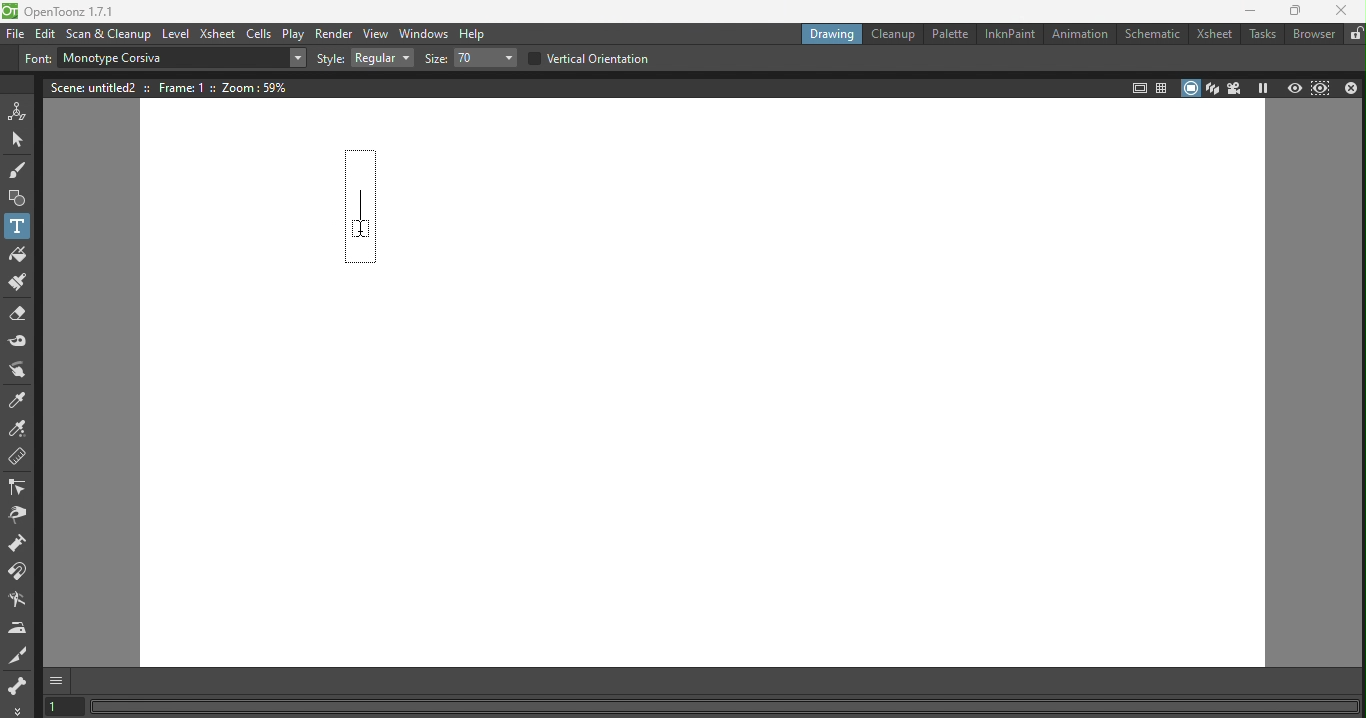 This screenshot has width=1366, height=718. Describe the element at coordinates (1213, 35) in the screenshot. I see `Xsheet` at that location.